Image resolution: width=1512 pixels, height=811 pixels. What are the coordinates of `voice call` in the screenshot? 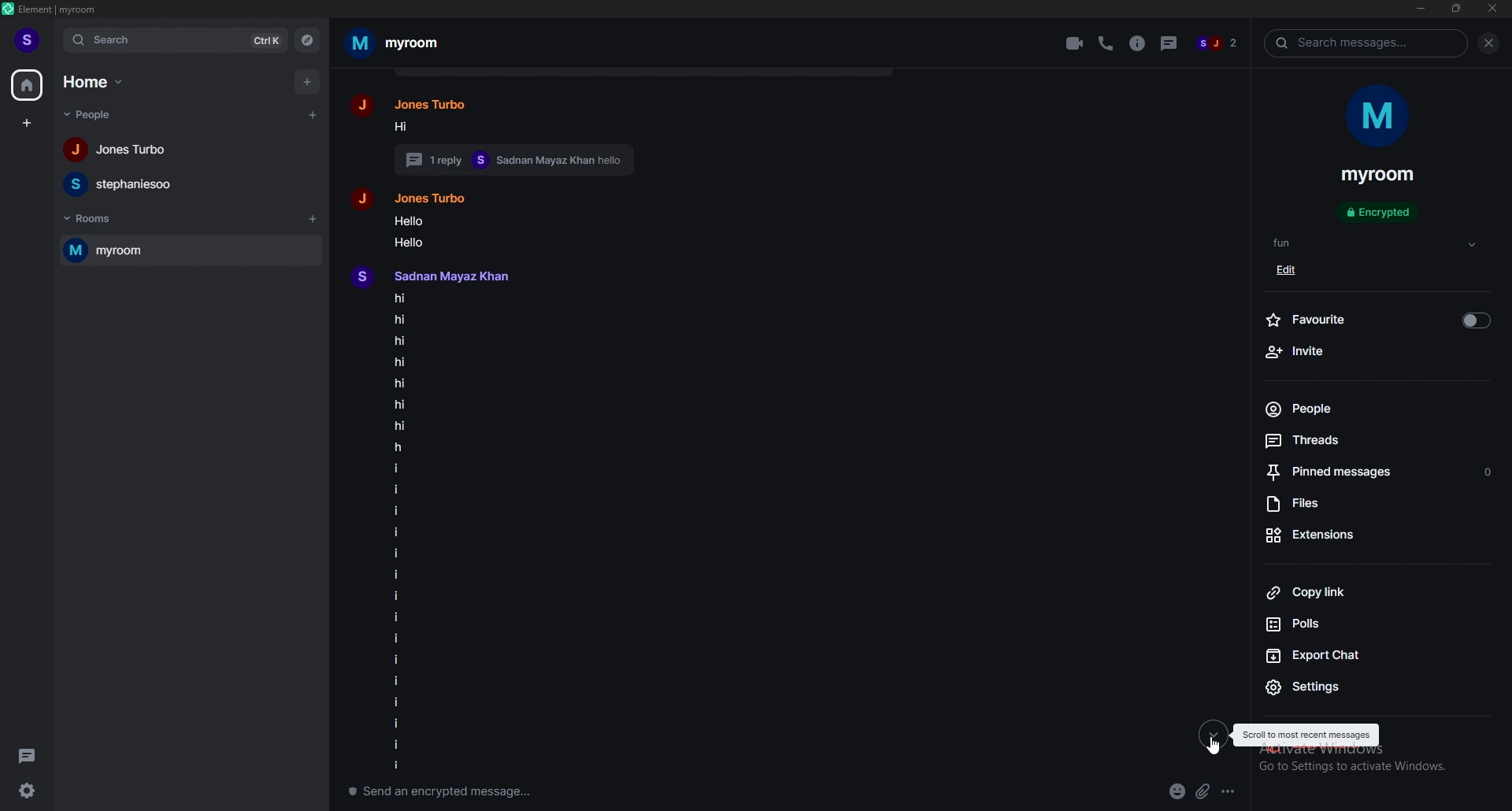 It's located at (1106, 43).